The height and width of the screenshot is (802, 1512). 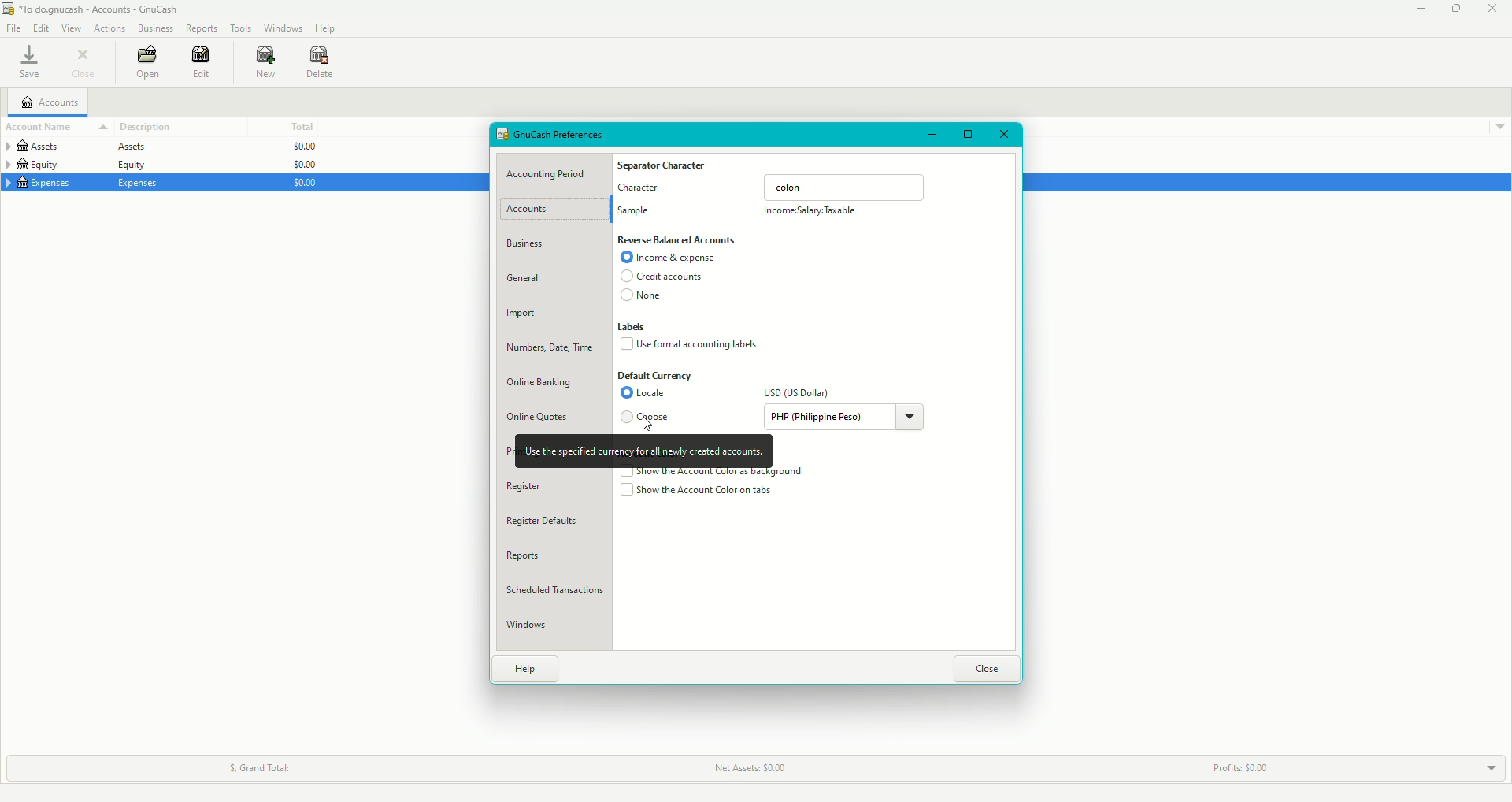 I want to click on Accounts, so click(x=535, y=210).